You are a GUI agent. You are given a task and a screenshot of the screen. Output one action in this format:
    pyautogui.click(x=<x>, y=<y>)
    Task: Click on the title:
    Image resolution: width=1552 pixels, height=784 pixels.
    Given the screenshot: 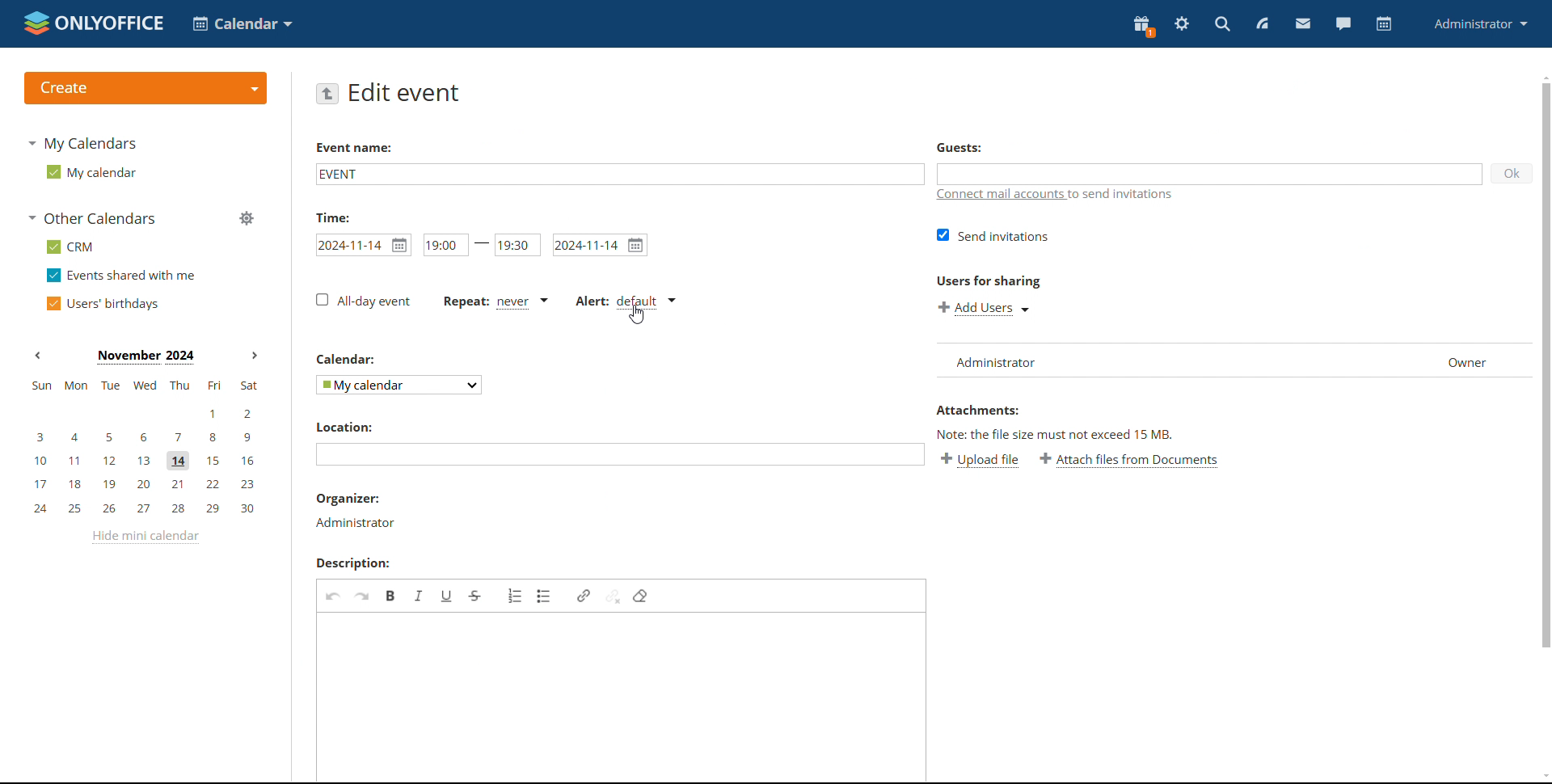 What is the action you would take?
    pyautogui.click(x=339, y=217)
    